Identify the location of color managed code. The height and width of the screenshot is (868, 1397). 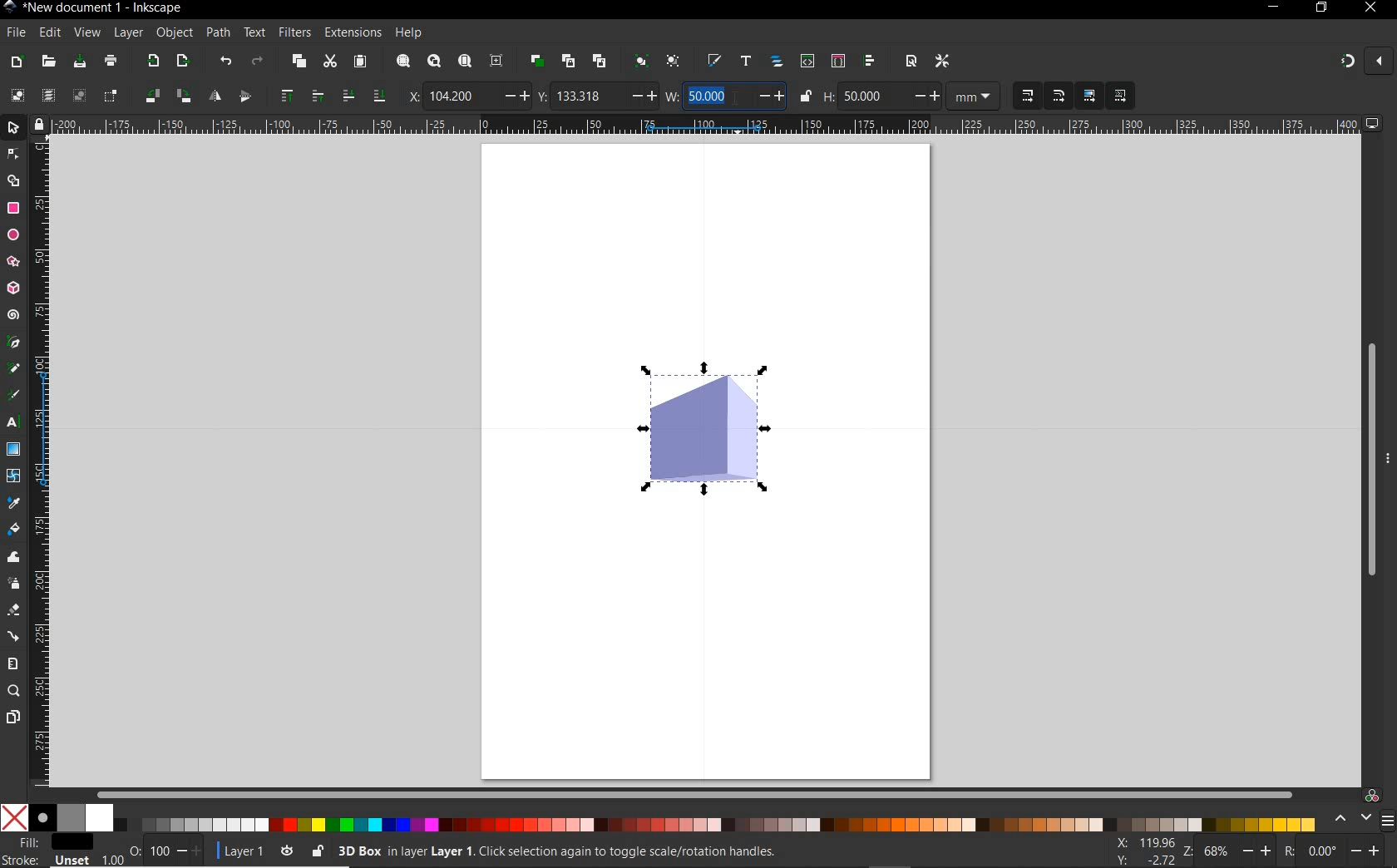
(1372, 796).